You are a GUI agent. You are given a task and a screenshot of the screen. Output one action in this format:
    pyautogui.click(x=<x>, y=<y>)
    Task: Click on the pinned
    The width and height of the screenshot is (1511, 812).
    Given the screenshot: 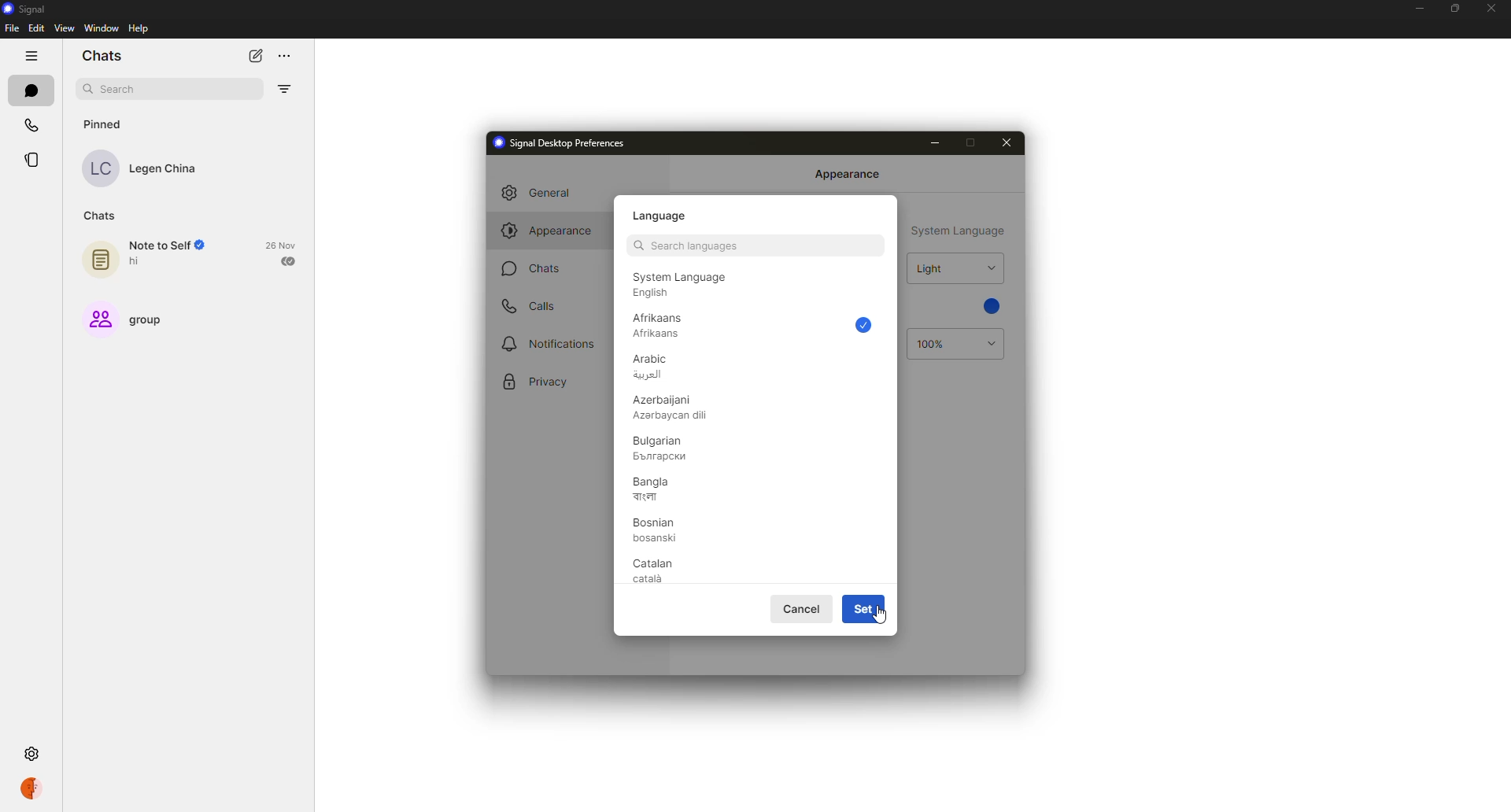 What is the action you would take?
    pyautogui.click(x=105, y=124)
    